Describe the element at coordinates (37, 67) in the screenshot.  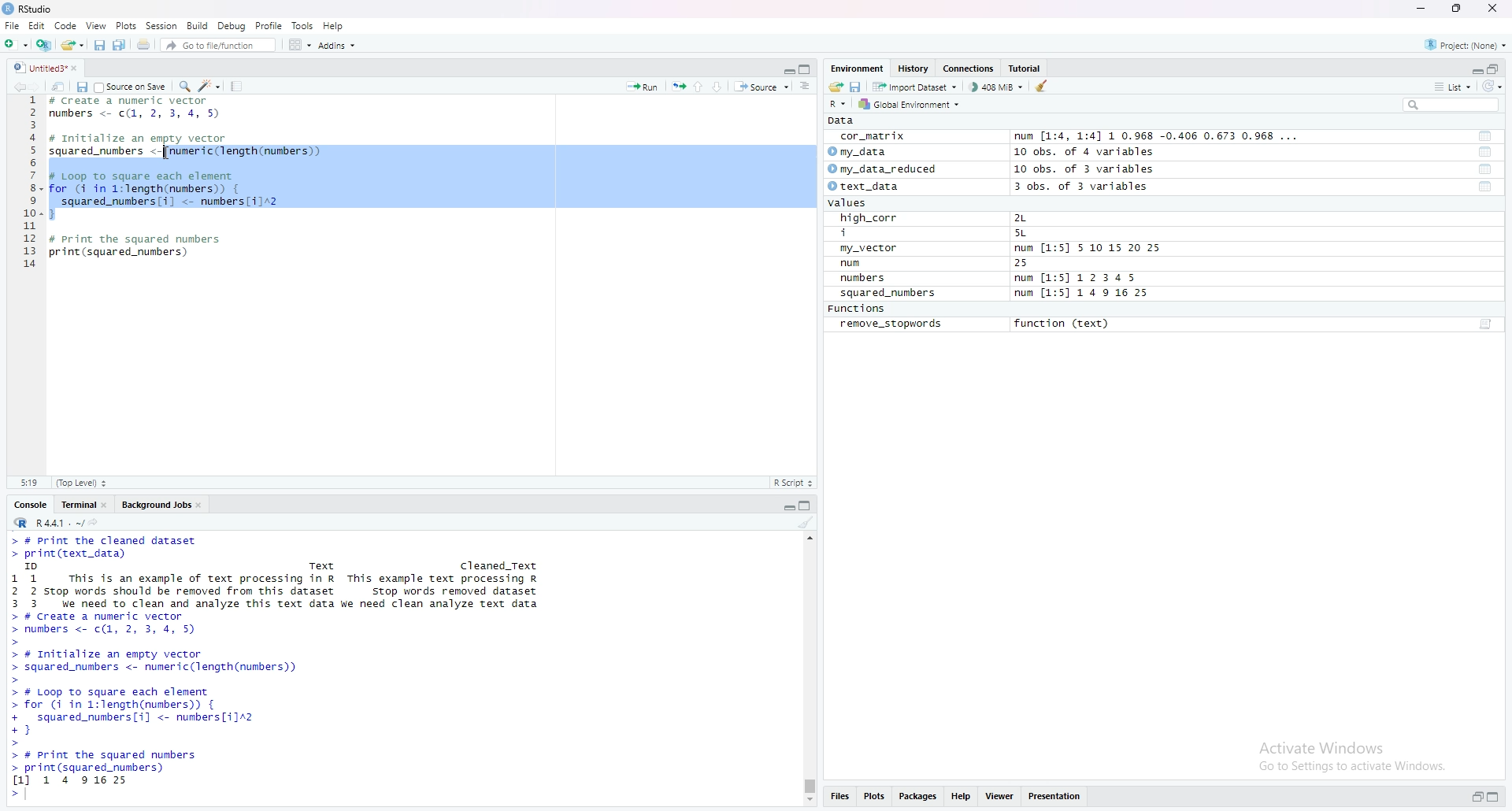
I see `unititled3*` at that location.